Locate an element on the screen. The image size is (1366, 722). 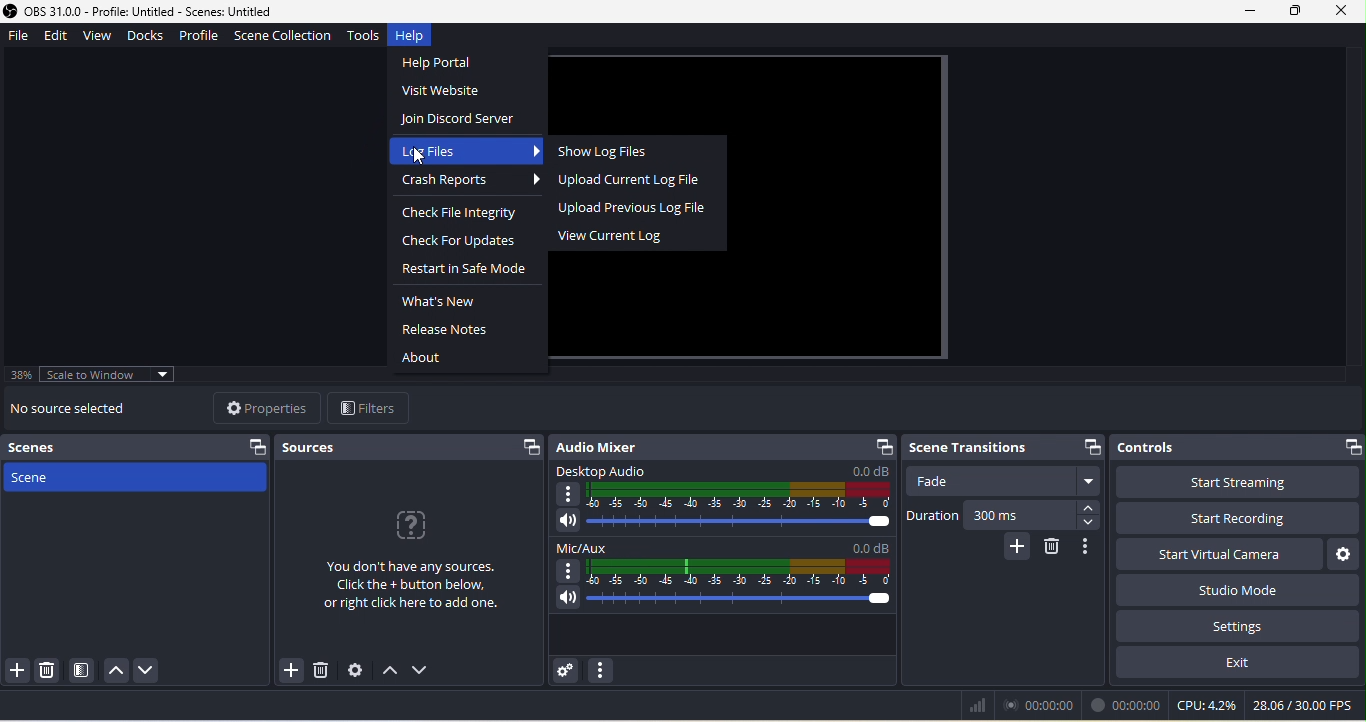
up is located at coordinates (390, 674).